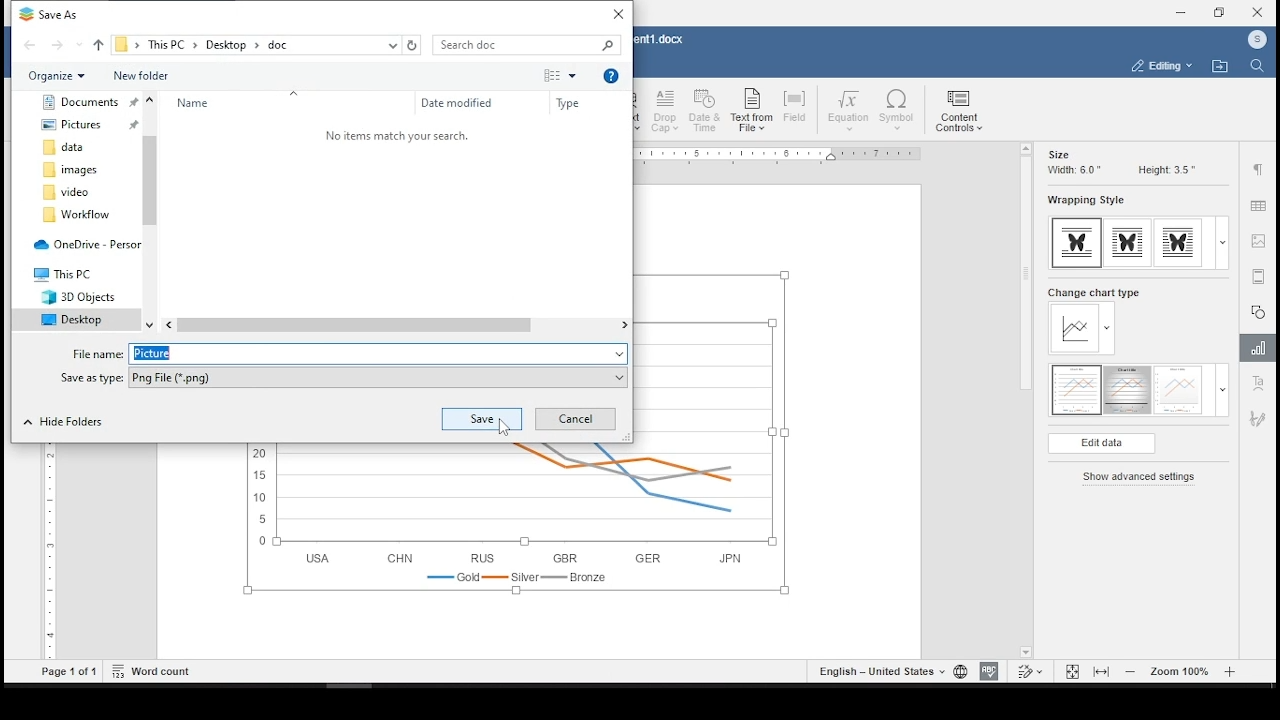 Image resolution: width=1280 pixels, height=720 pixels. Describe the element at coordinates (1166, 170) in the screenshot. I see `height` at that location.